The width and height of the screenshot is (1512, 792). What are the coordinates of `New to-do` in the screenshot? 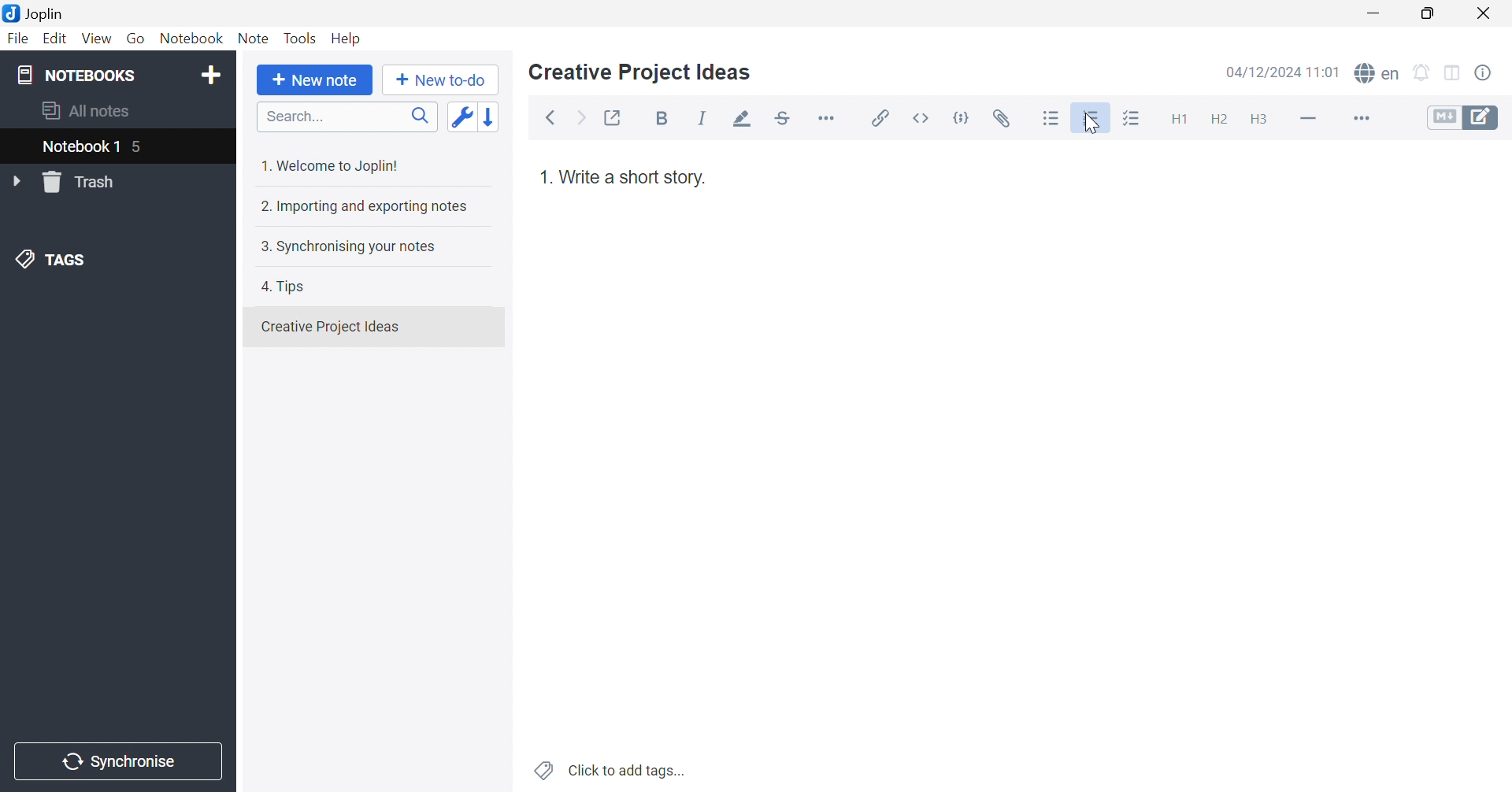 It's located at (442, 80).